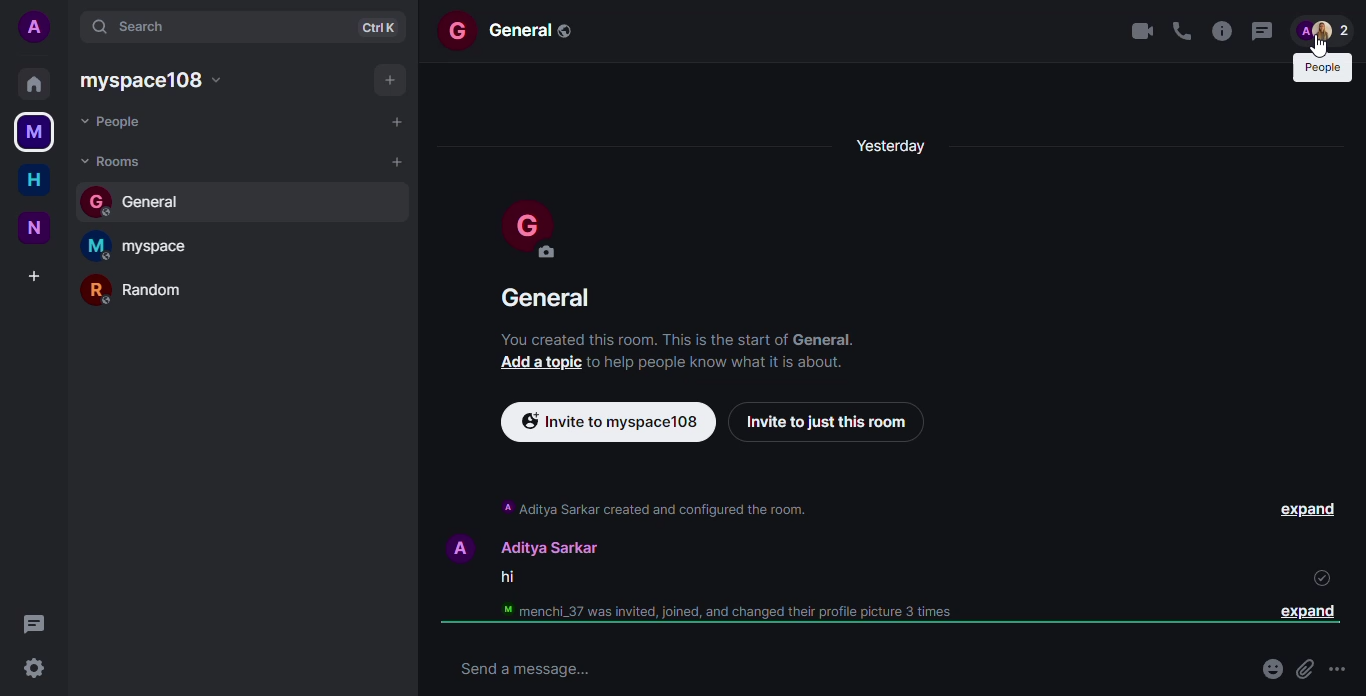 This screenshot has height=696, width=1366. What do you see at coordinates (1180, 31) in the screenshot?
I see `voice call` at bounding box center [1180, 31].